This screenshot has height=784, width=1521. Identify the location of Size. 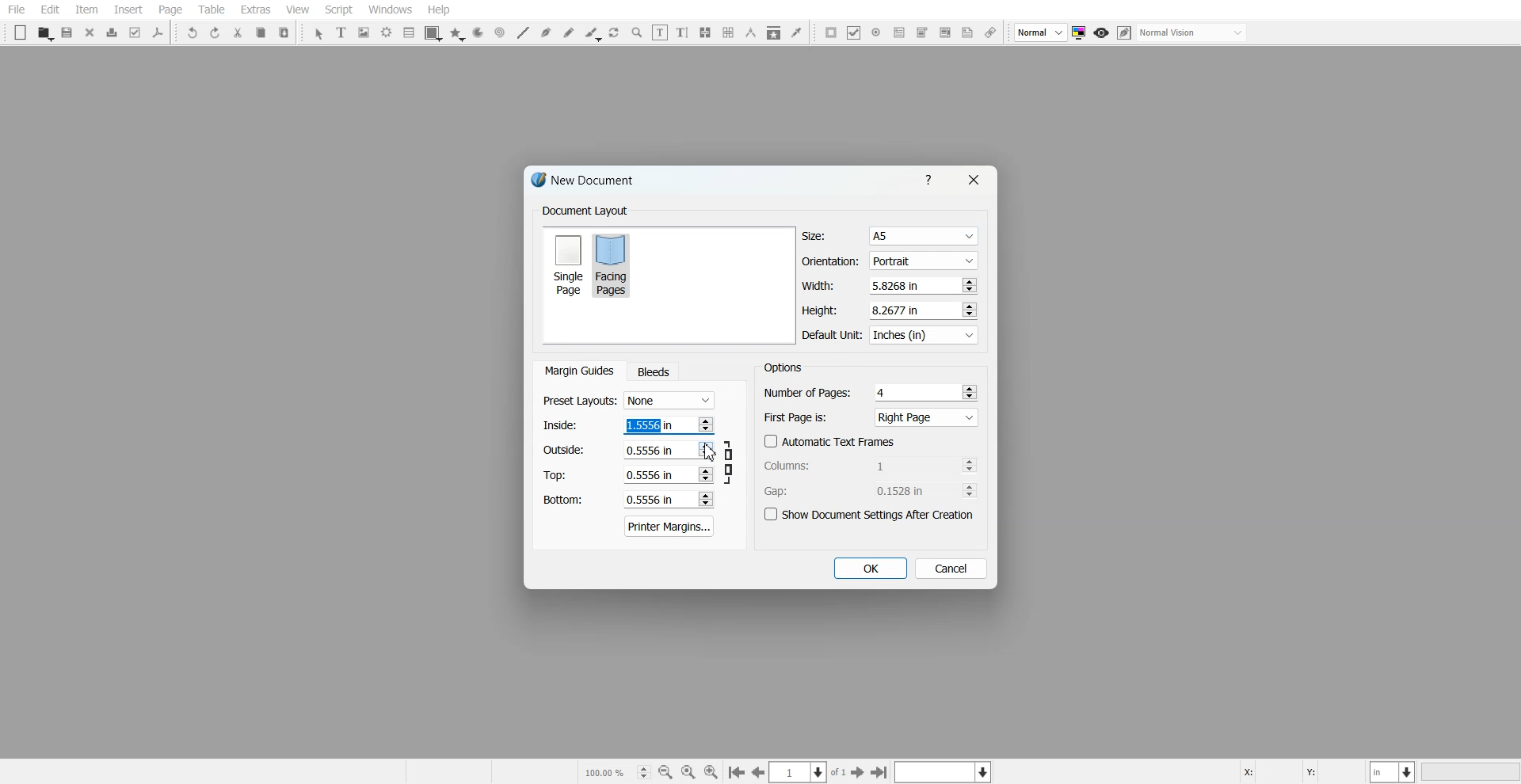
(890, 236).